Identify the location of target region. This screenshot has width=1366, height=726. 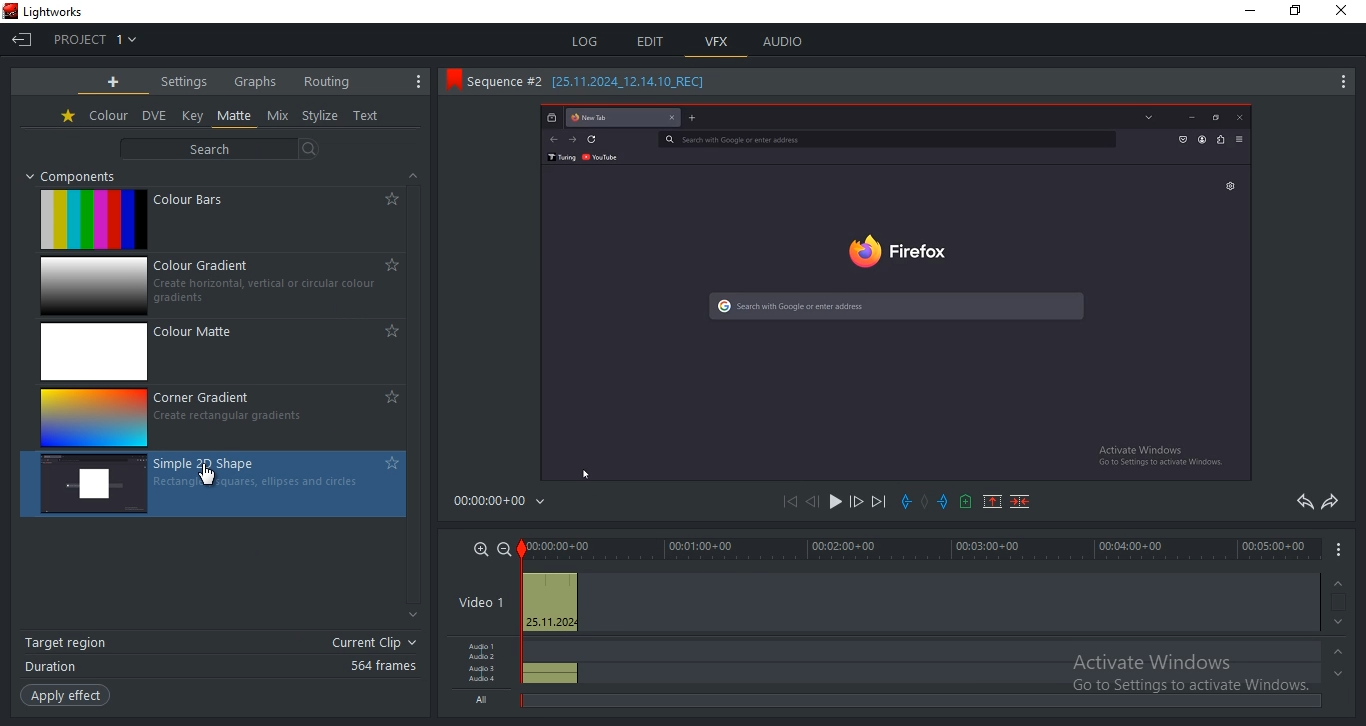
(219, 644).